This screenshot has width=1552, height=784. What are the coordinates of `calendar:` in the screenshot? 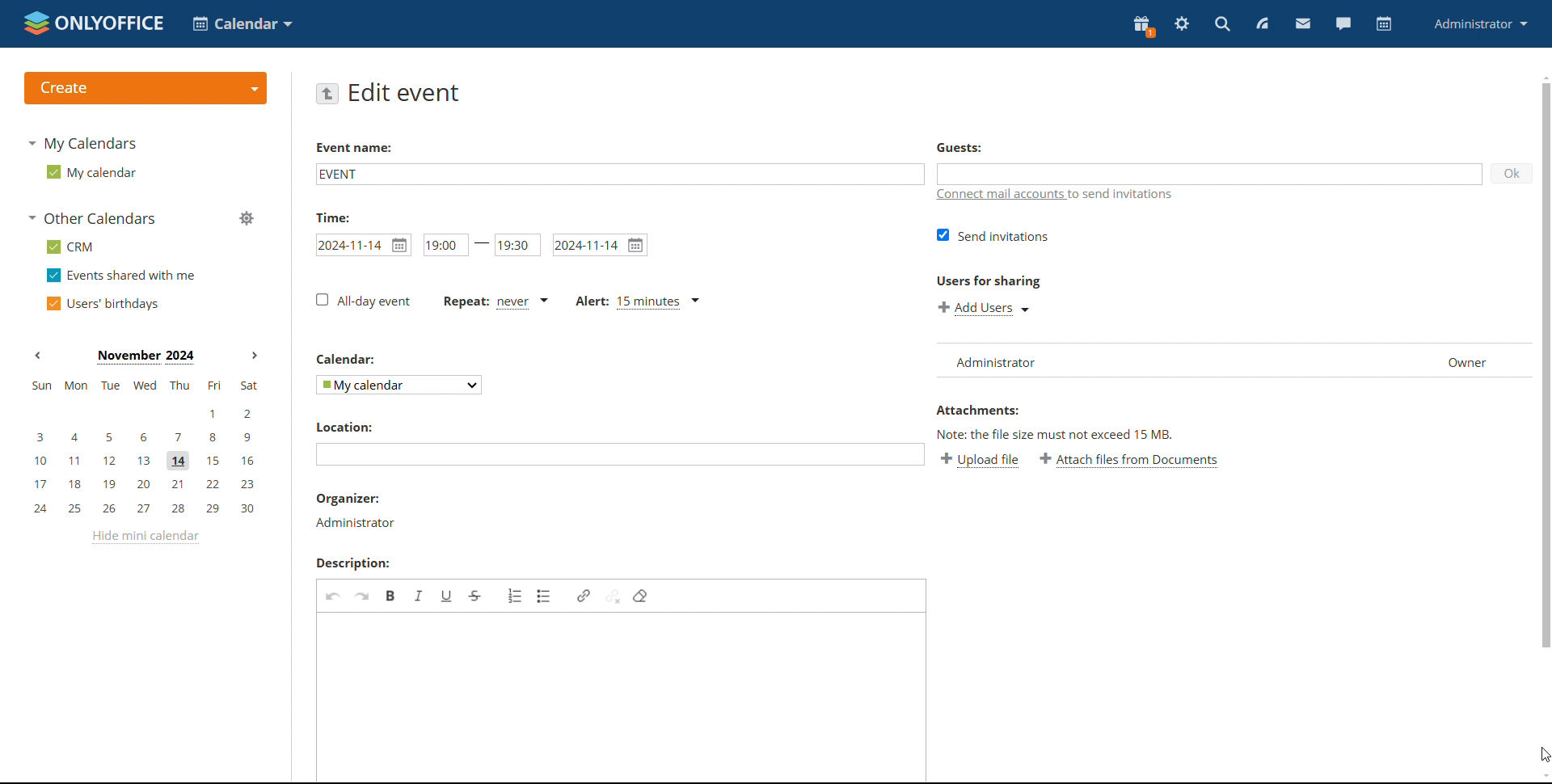 It's located at (349, 358).